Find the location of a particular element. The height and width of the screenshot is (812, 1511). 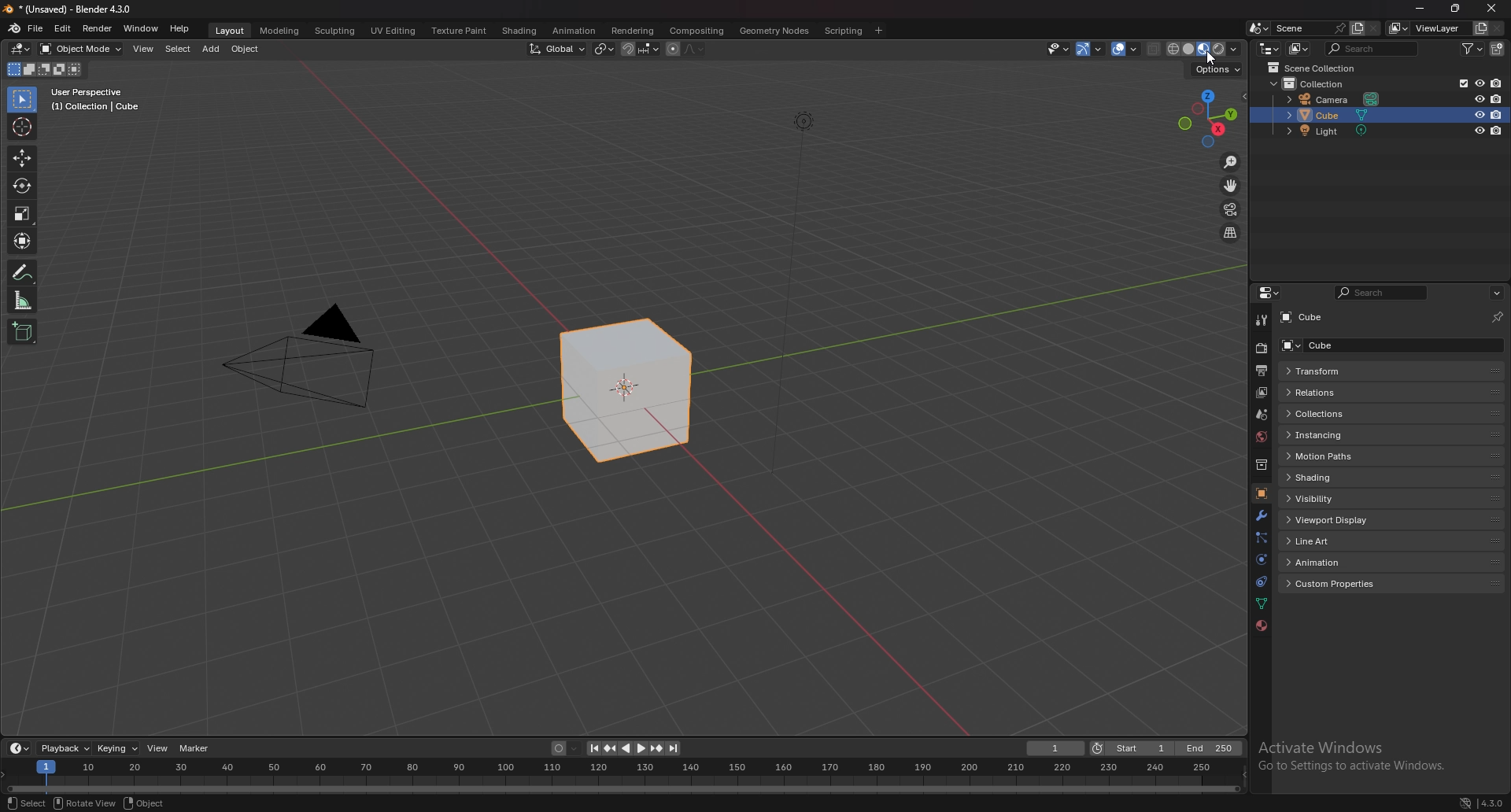

add workspace is located at coordinates (878, 31).